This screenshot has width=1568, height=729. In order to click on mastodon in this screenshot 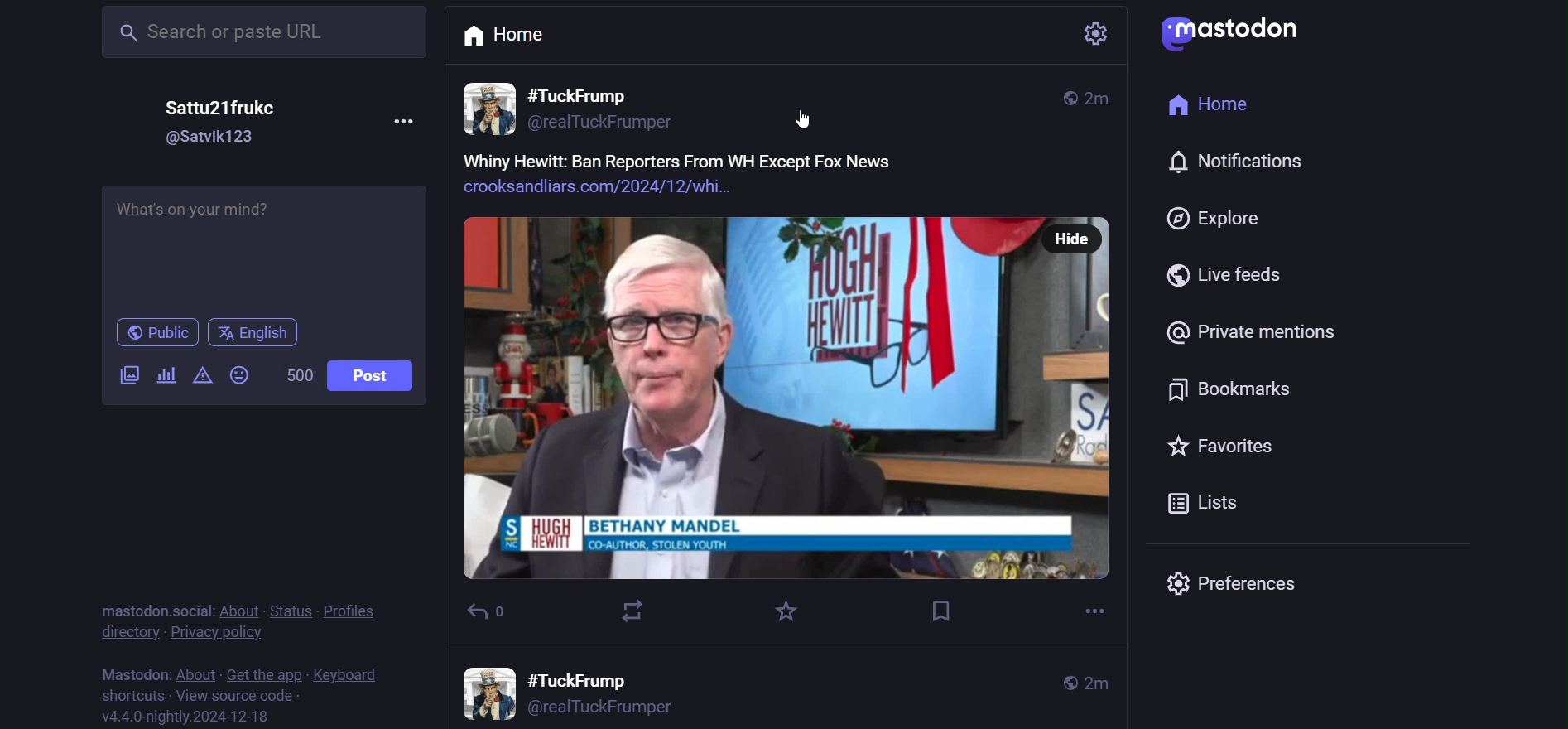, I will do `click(135, 673)`.